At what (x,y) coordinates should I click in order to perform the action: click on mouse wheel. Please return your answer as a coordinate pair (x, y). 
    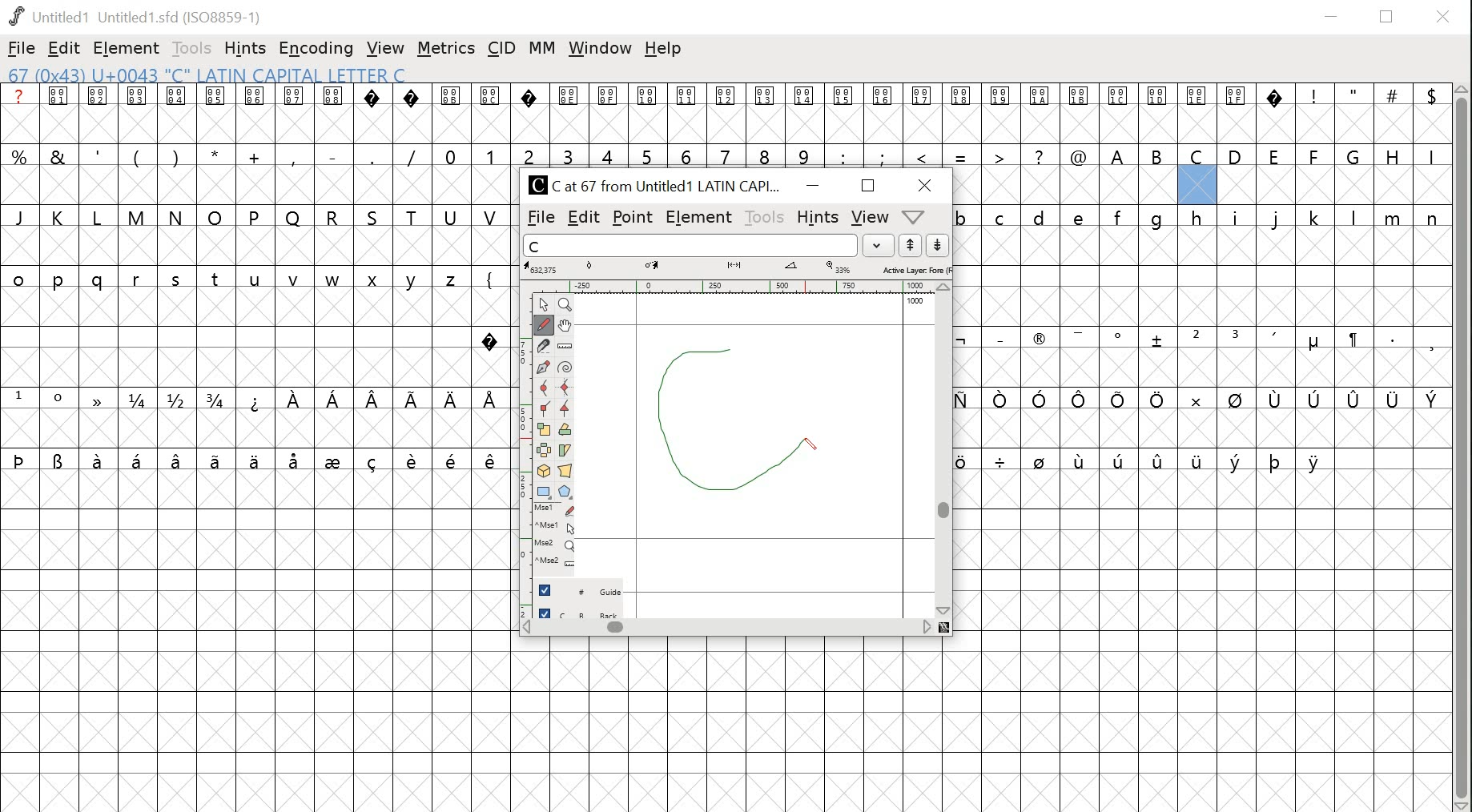
    Looking at the image, I should click on (557, 547).